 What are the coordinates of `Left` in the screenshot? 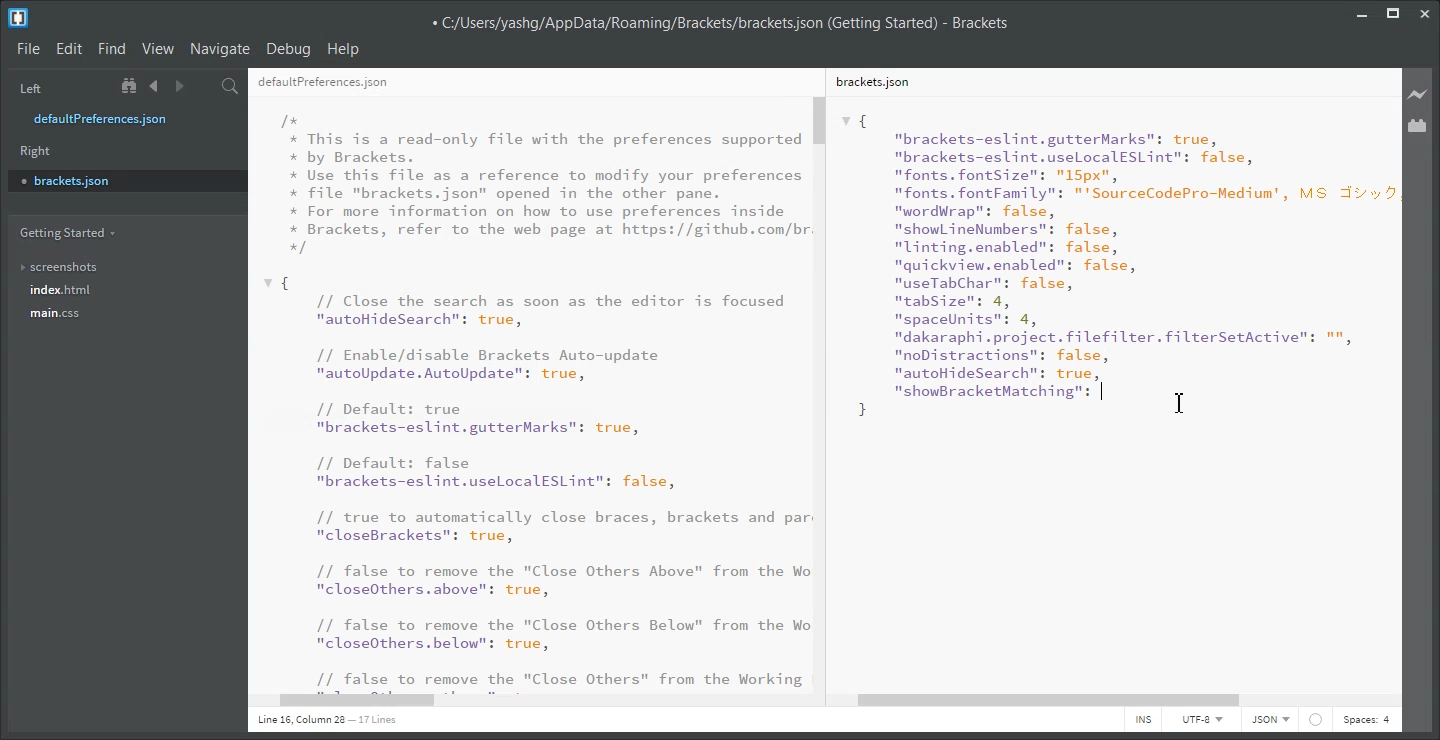 It's located at (28, 87).